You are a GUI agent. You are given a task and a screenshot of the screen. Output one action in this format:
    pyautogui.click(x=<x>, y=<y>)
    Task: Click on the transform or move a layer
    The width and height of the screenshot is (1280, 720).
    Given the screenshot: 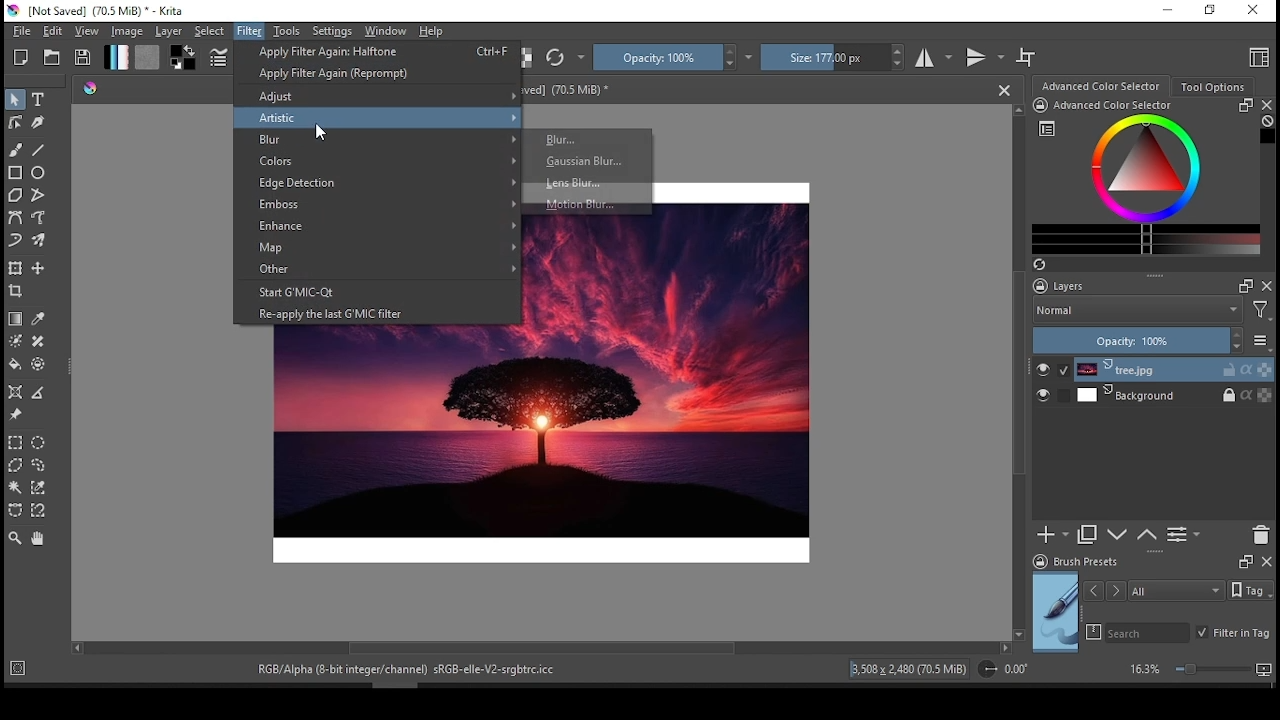 What is the action you would take?
    pyautogui.click(x=15, y=268)
    